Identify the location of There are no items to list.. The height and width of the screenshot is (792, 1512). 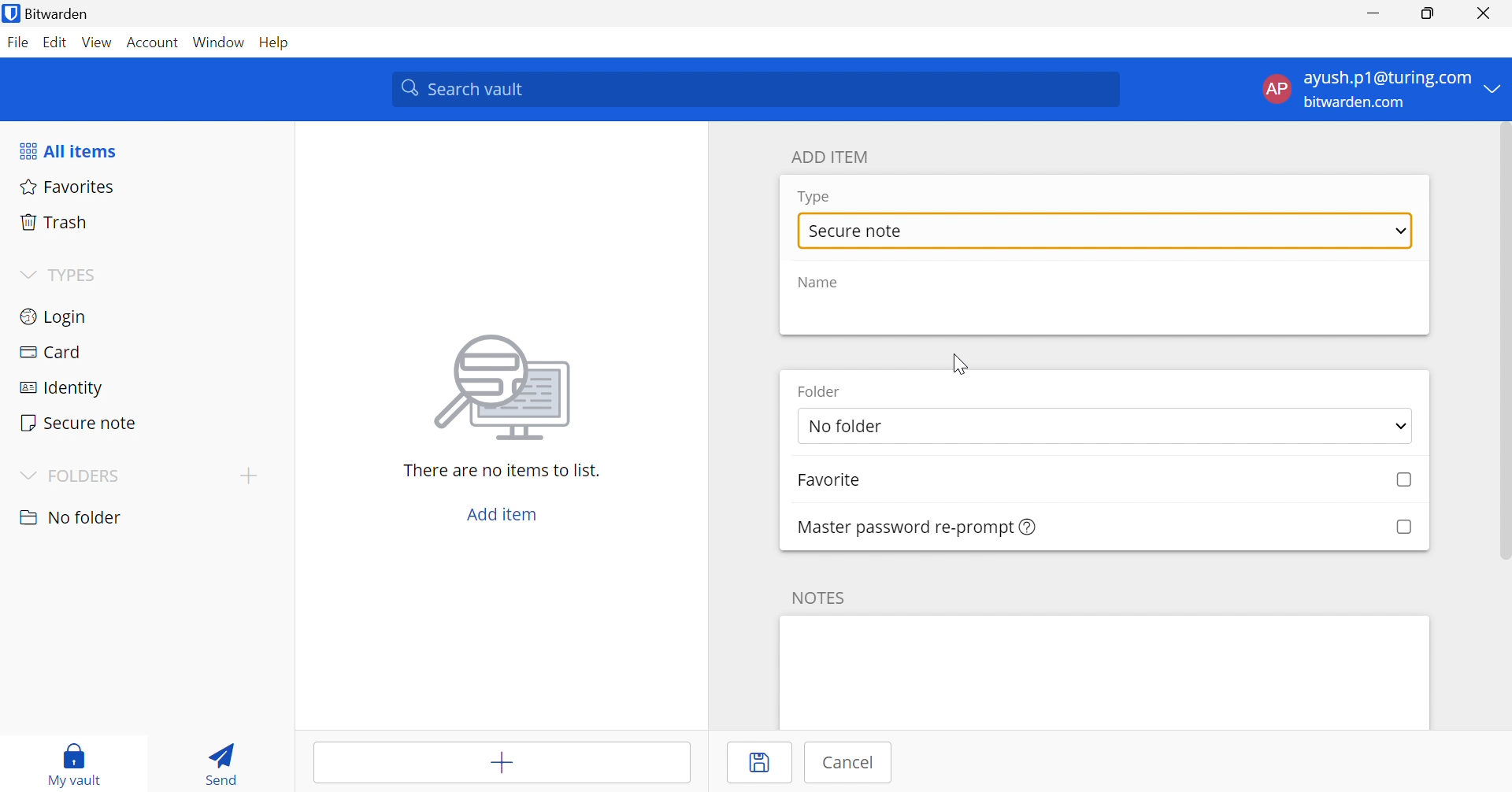
(502, 470).